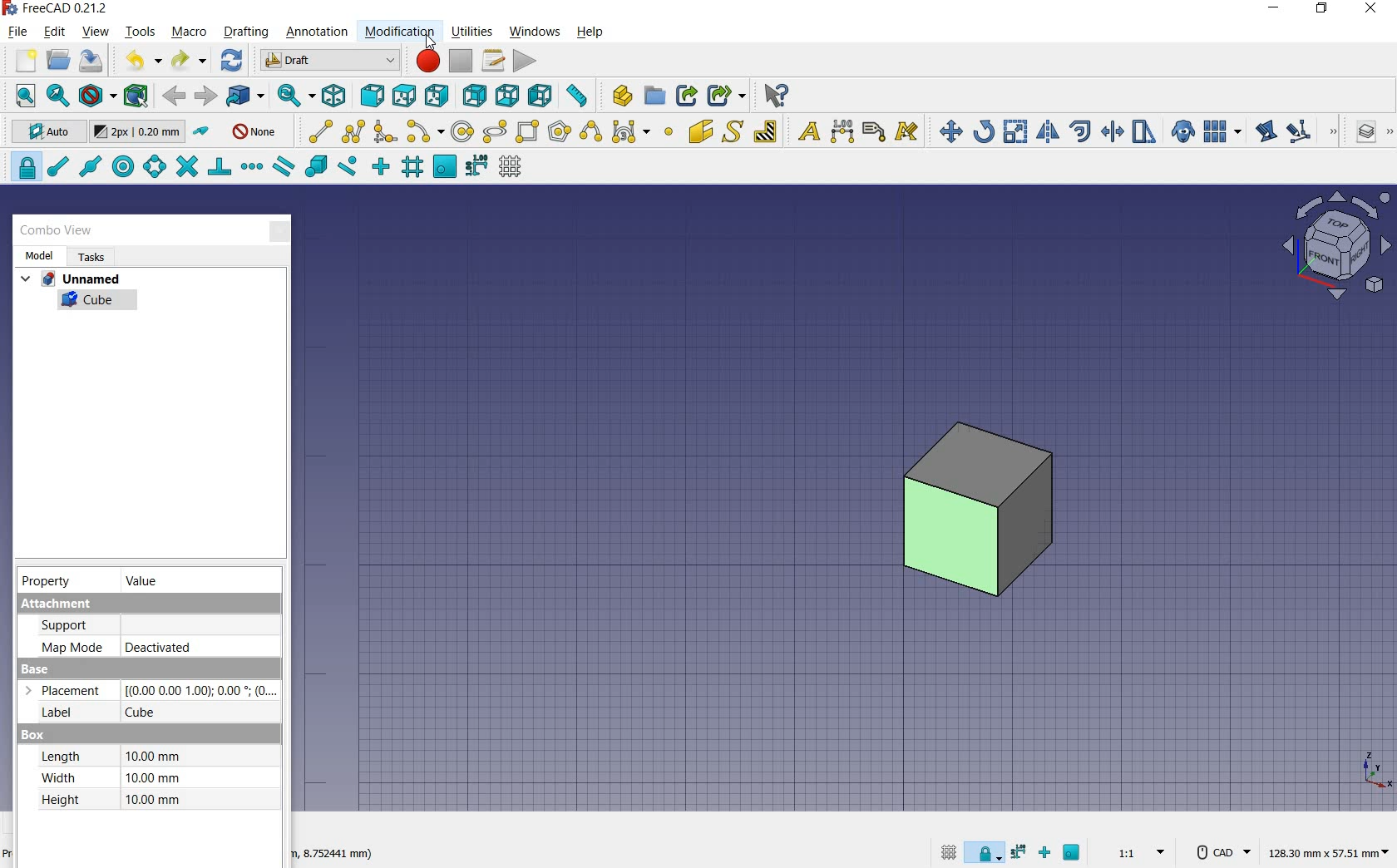 The image size is (1397, 868). Describe the element at coordinates (1328, 851) in the screenshot. I see `dimension` at that location.